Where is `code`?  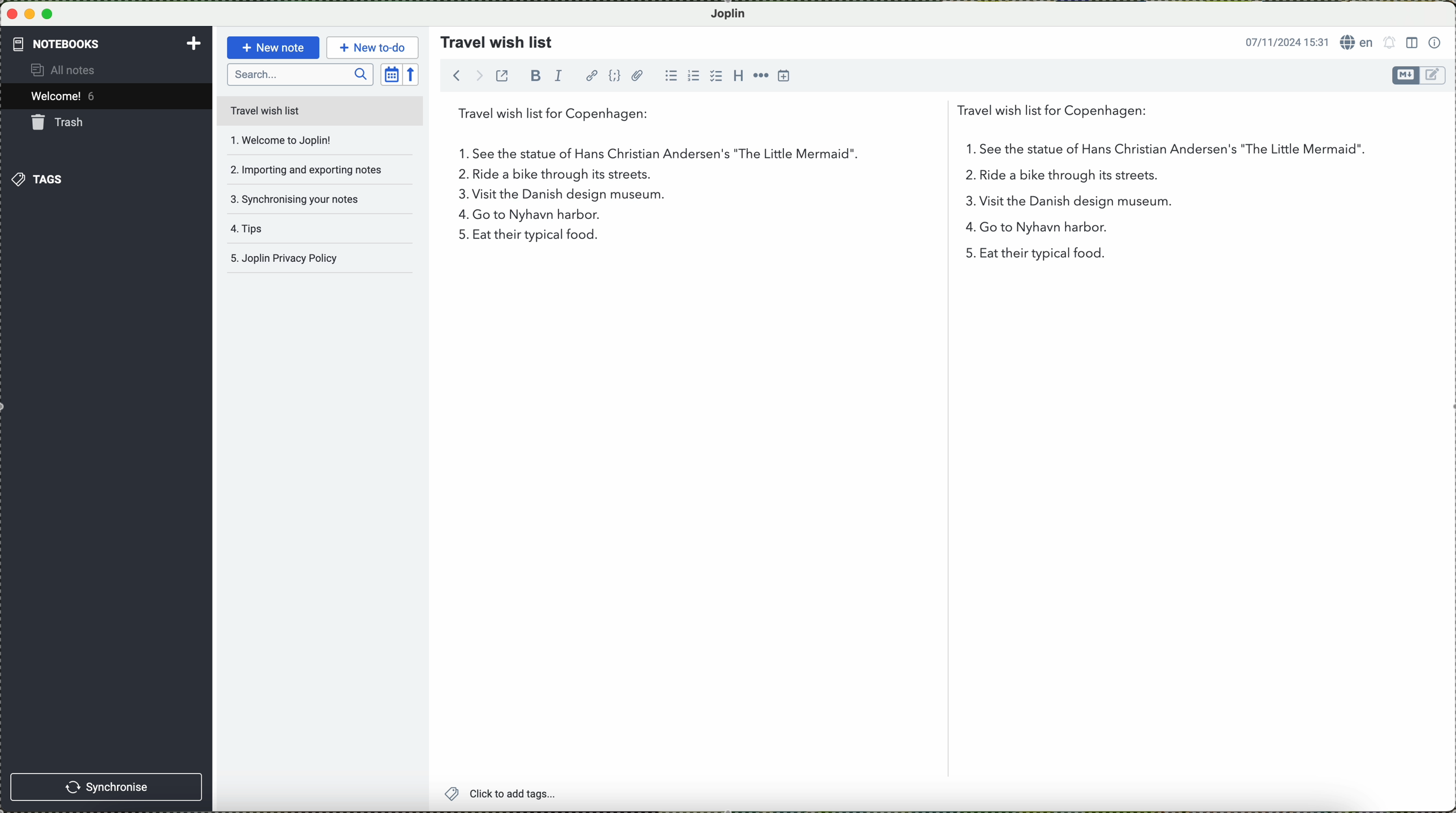
code is located at coordinates (616, 76).